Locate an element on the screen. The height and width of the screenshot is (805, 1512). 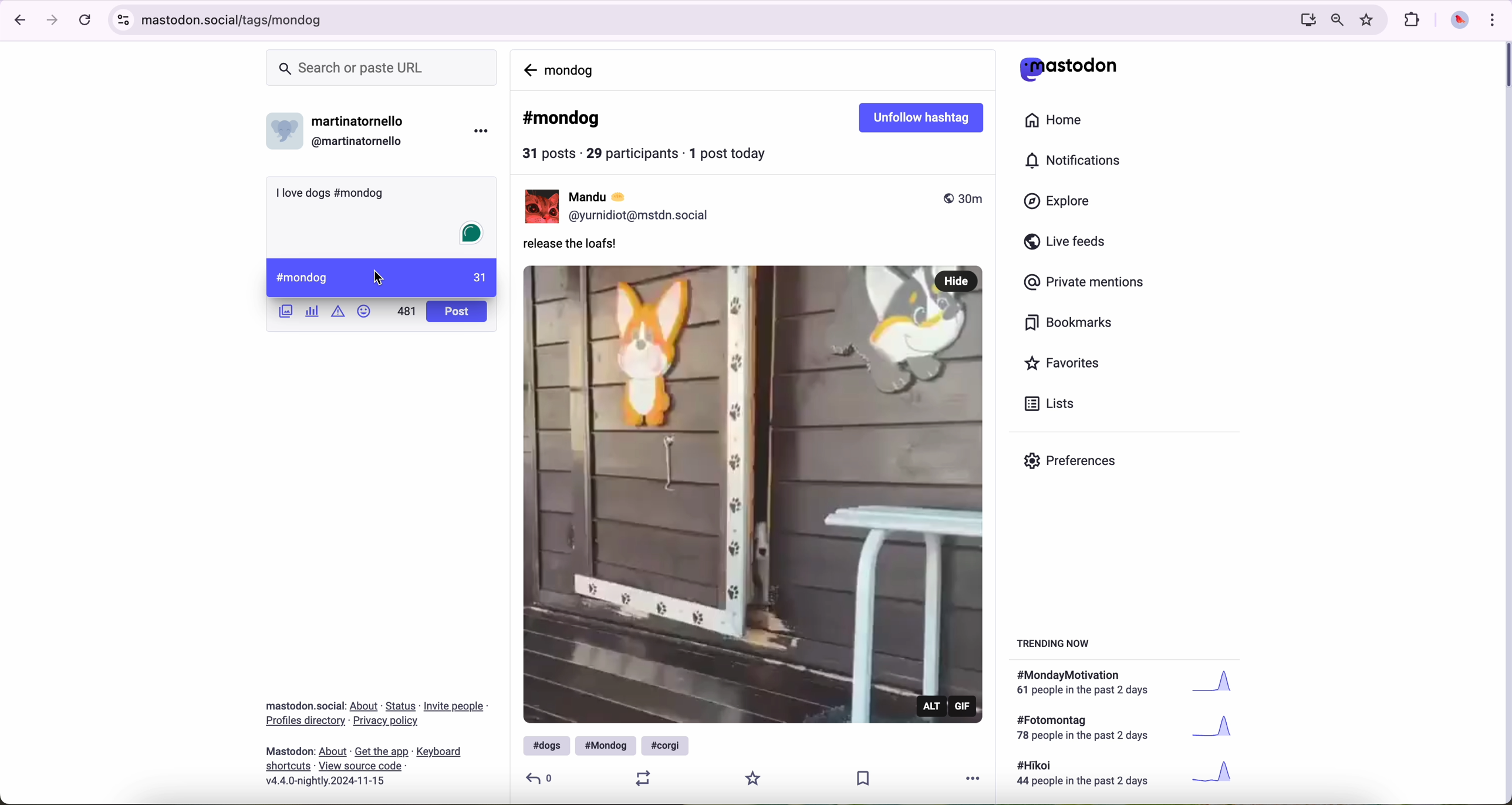
navigate back is located at coordinates (529, 68).